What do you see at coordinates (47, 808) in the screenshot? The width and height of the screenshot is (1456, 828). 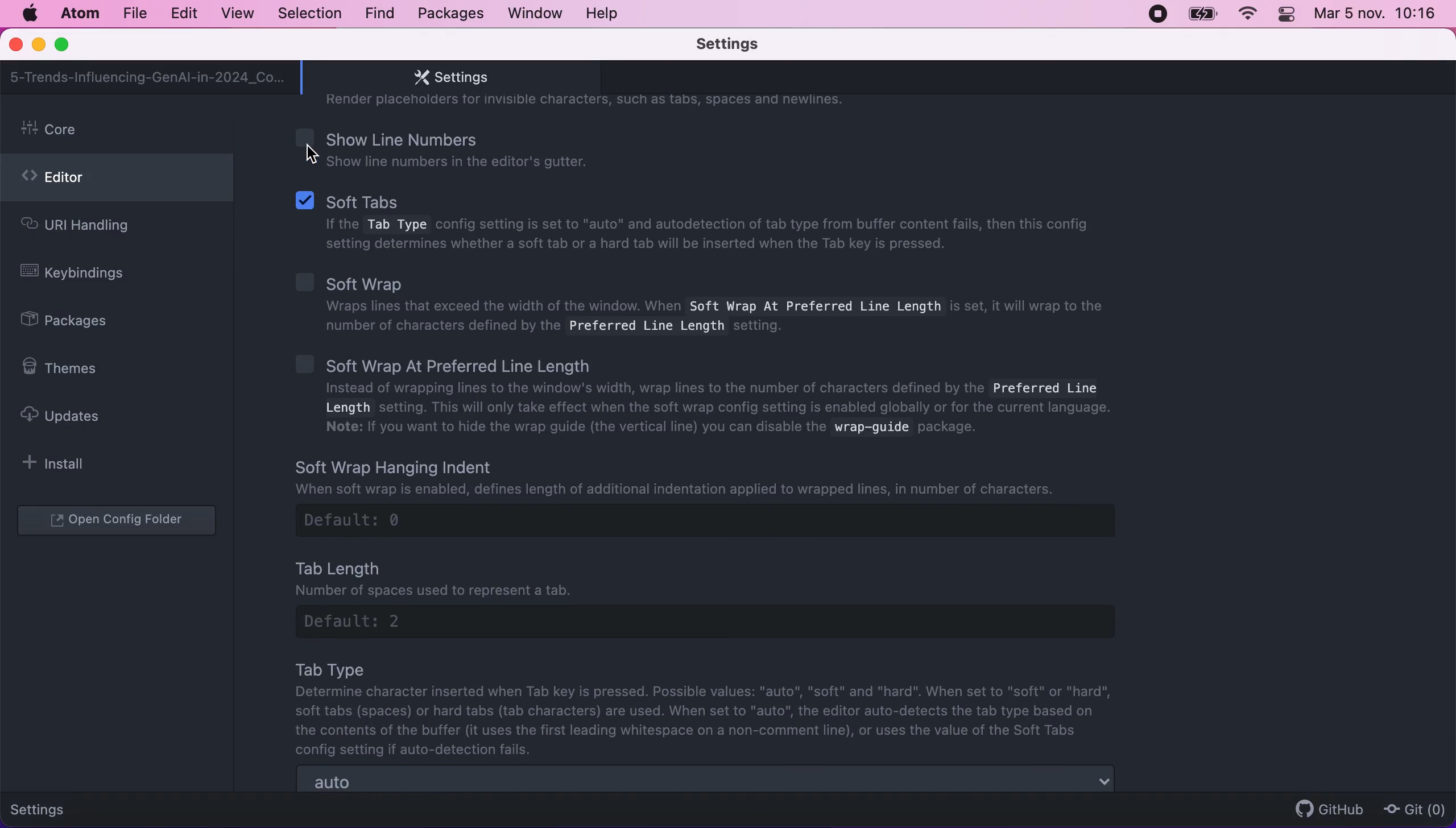 I see `settings` at bounding box center [47, 808].